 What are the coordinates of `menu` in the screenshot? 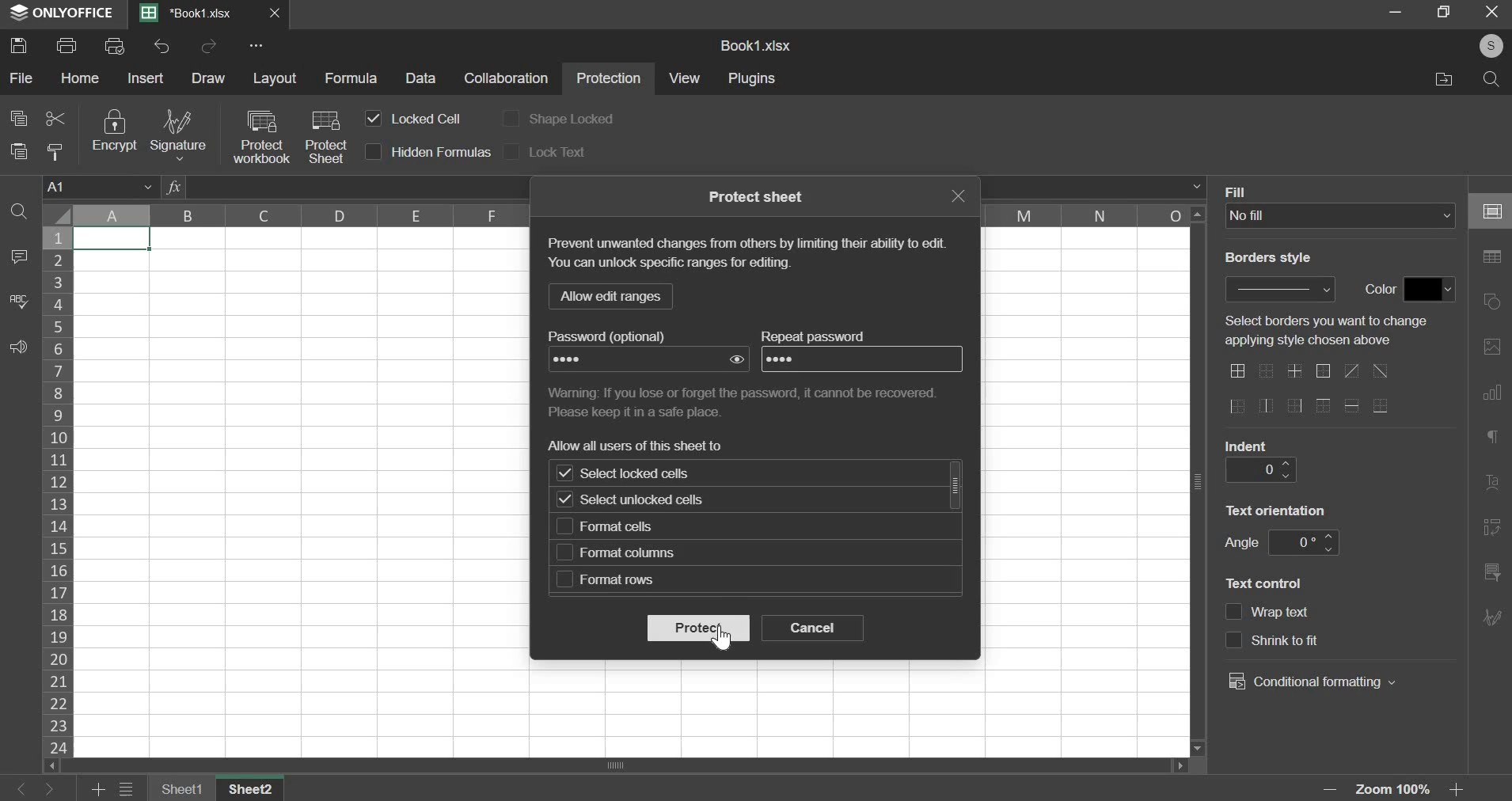 It's located at (127, 790).